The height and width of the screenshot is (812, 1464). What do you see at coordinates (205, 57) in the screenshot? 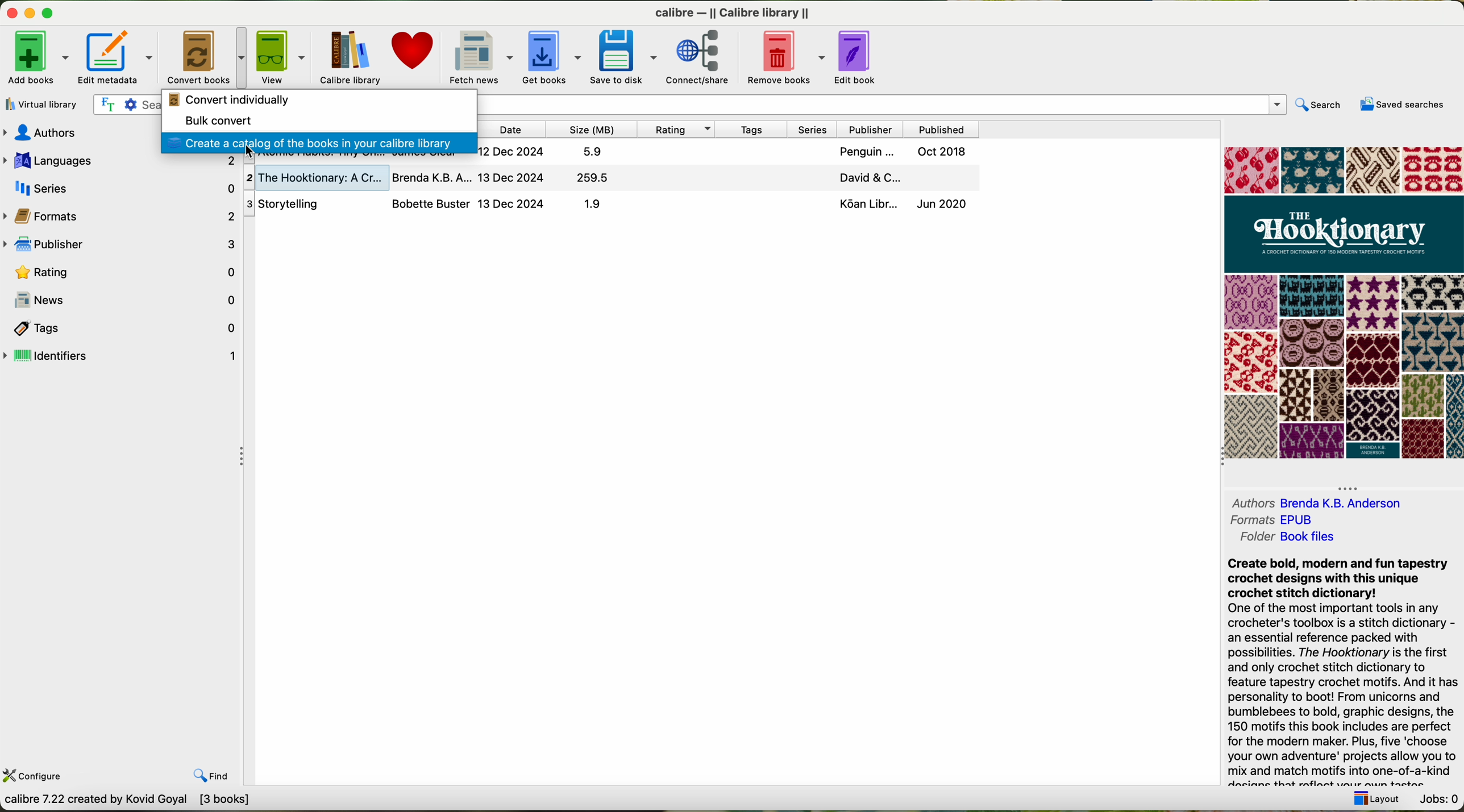
I see `click on convert books options` at bounding box center [205, 57].